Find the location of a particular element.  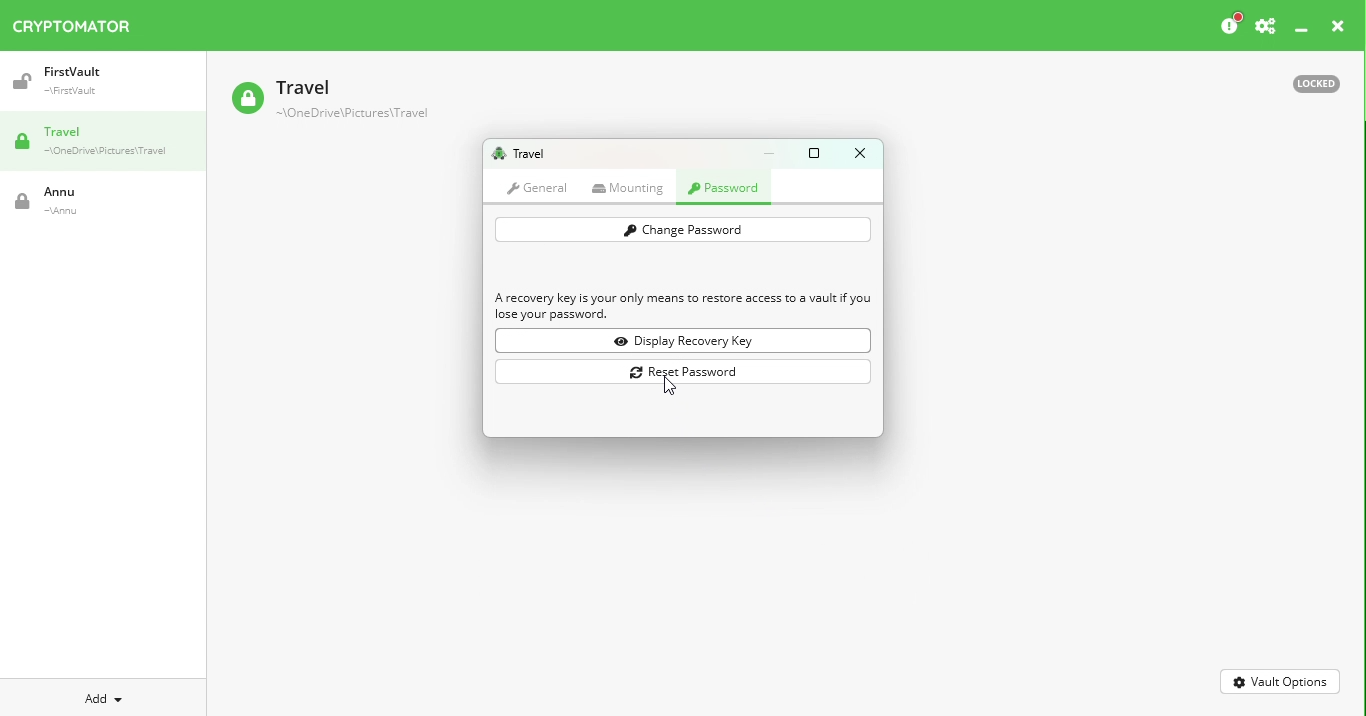

Cursor is located at coordinates (665, 386).